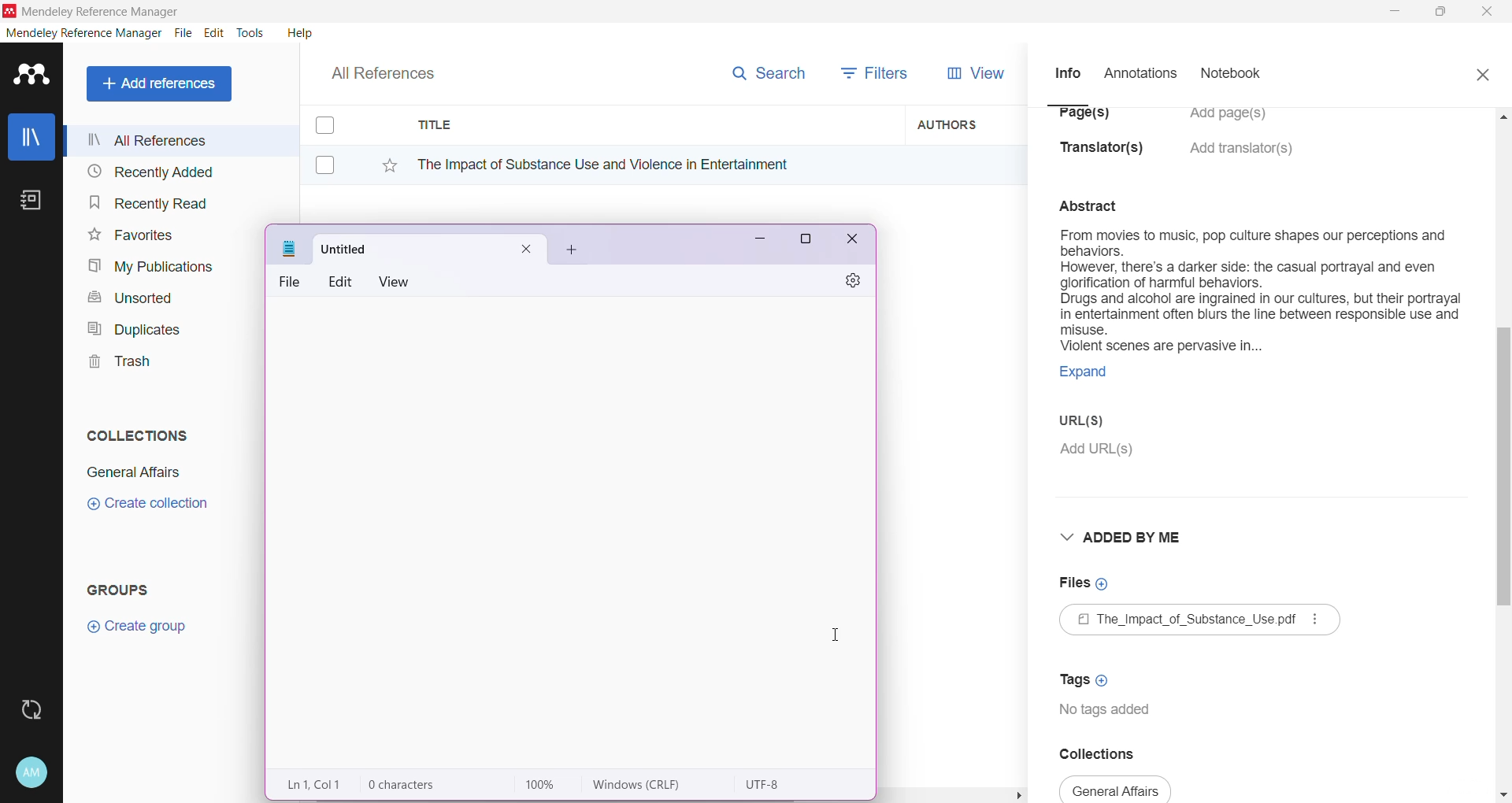 This screenshot has height=803, width=1512. Describe the element at coordinates (298, 32) in the screenshot. I see `Help` at that location.